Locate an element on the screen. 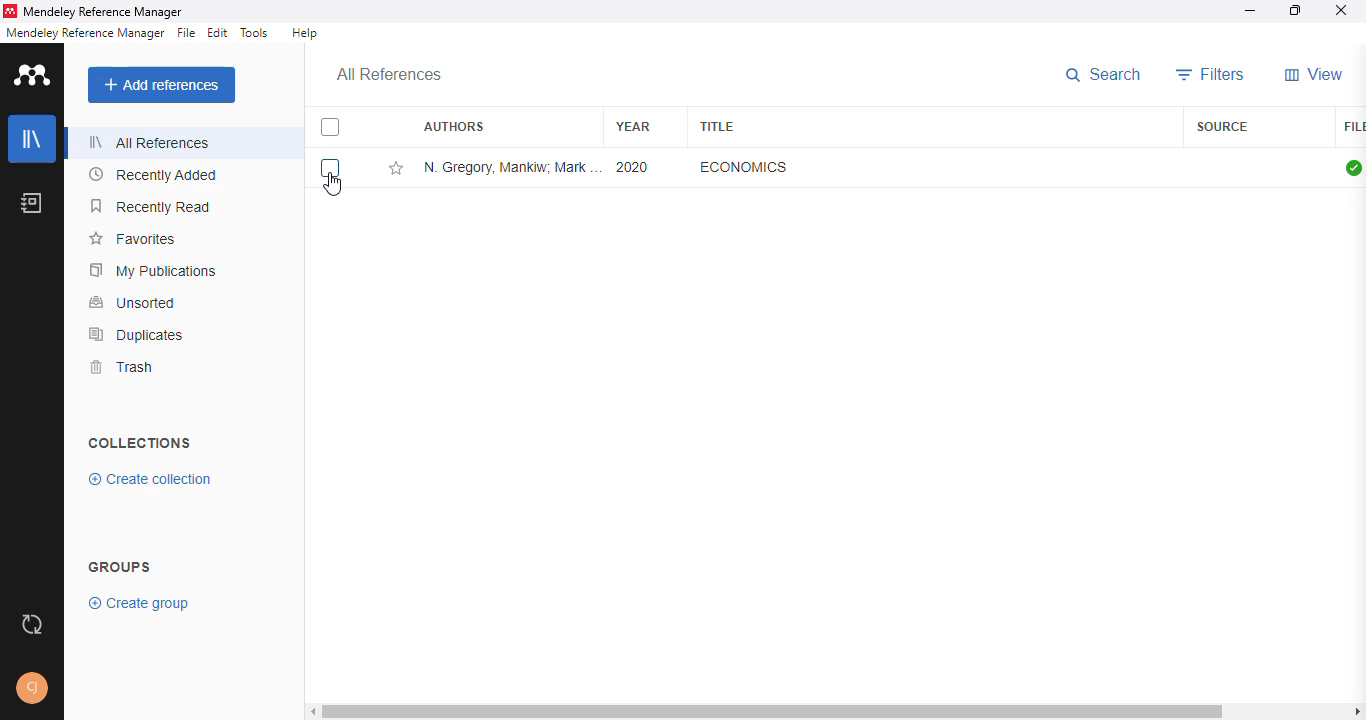 This screenshot has width=1366, height=720. duplicates is located at coordinates (137, 335).